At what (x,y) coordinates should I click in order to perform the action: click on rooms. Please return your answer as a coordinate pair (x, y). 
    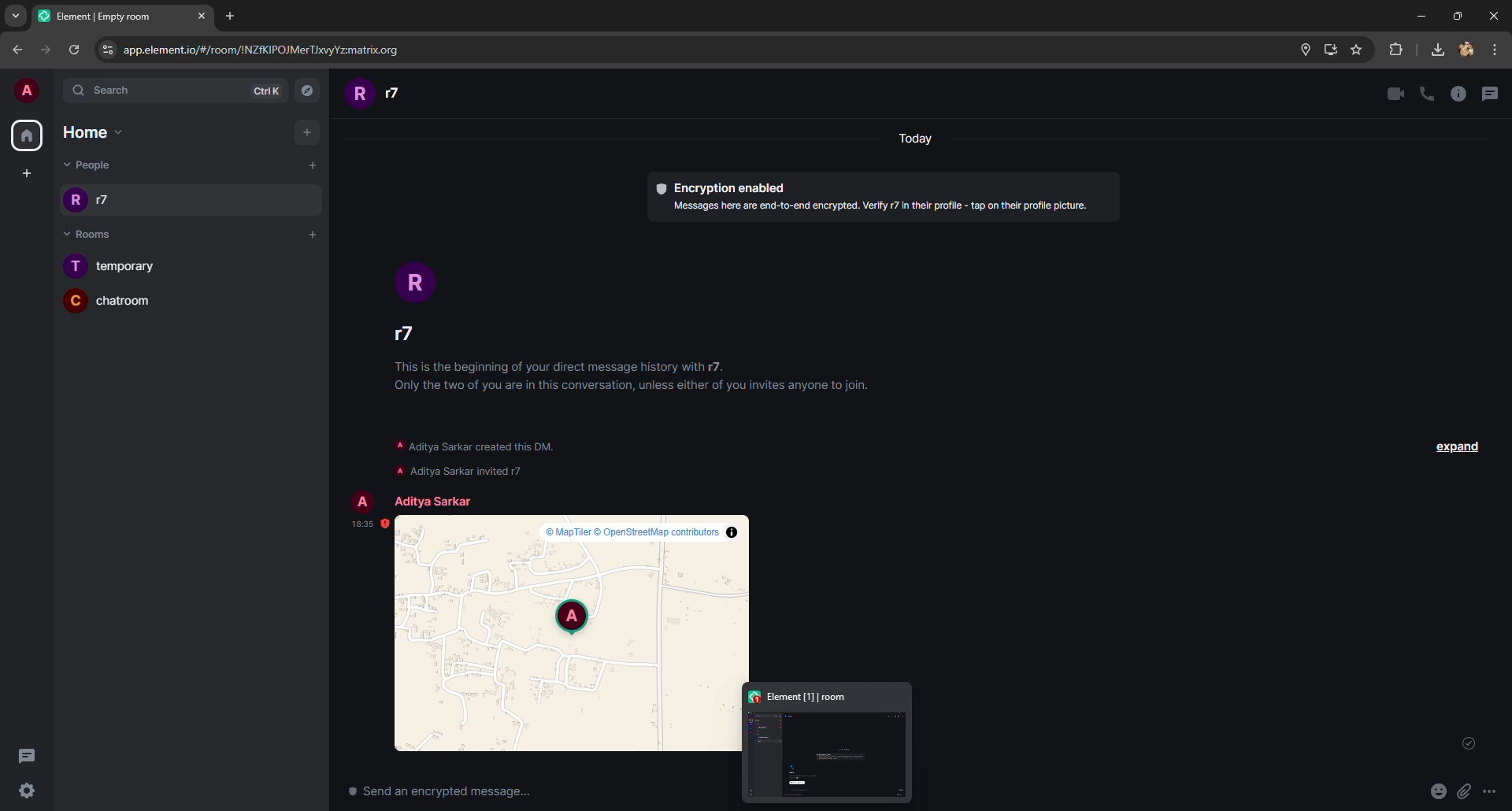
    Looking at the image, I should click on (93, 233).